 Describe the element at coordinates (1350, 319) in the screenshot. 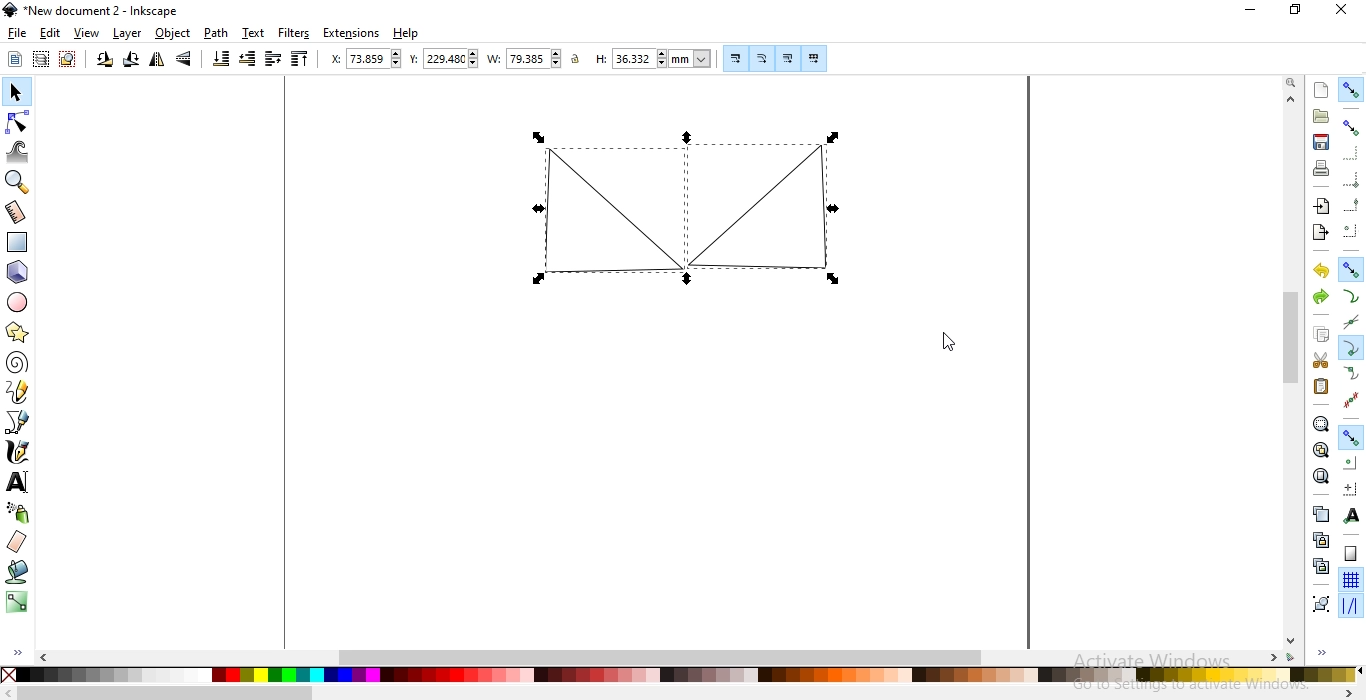

I see `snap to path intersections` at that location.